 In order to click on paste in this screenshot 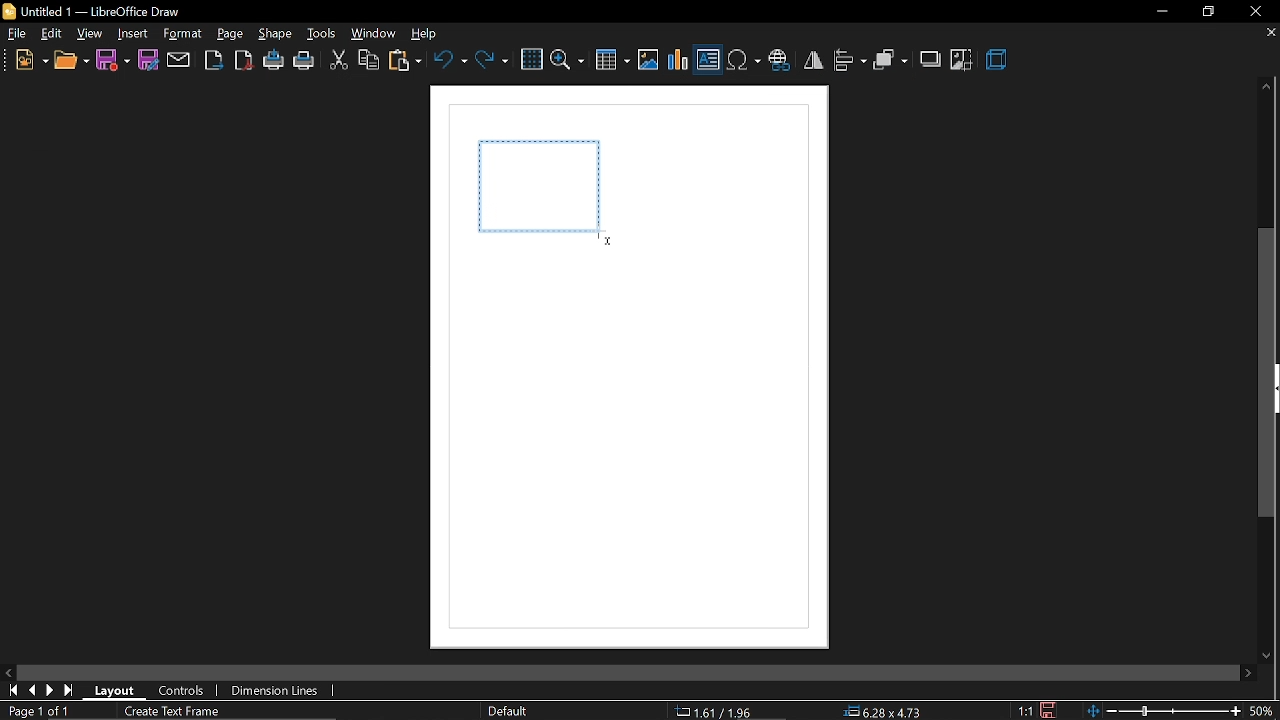, I will do `click(406, 63)`.